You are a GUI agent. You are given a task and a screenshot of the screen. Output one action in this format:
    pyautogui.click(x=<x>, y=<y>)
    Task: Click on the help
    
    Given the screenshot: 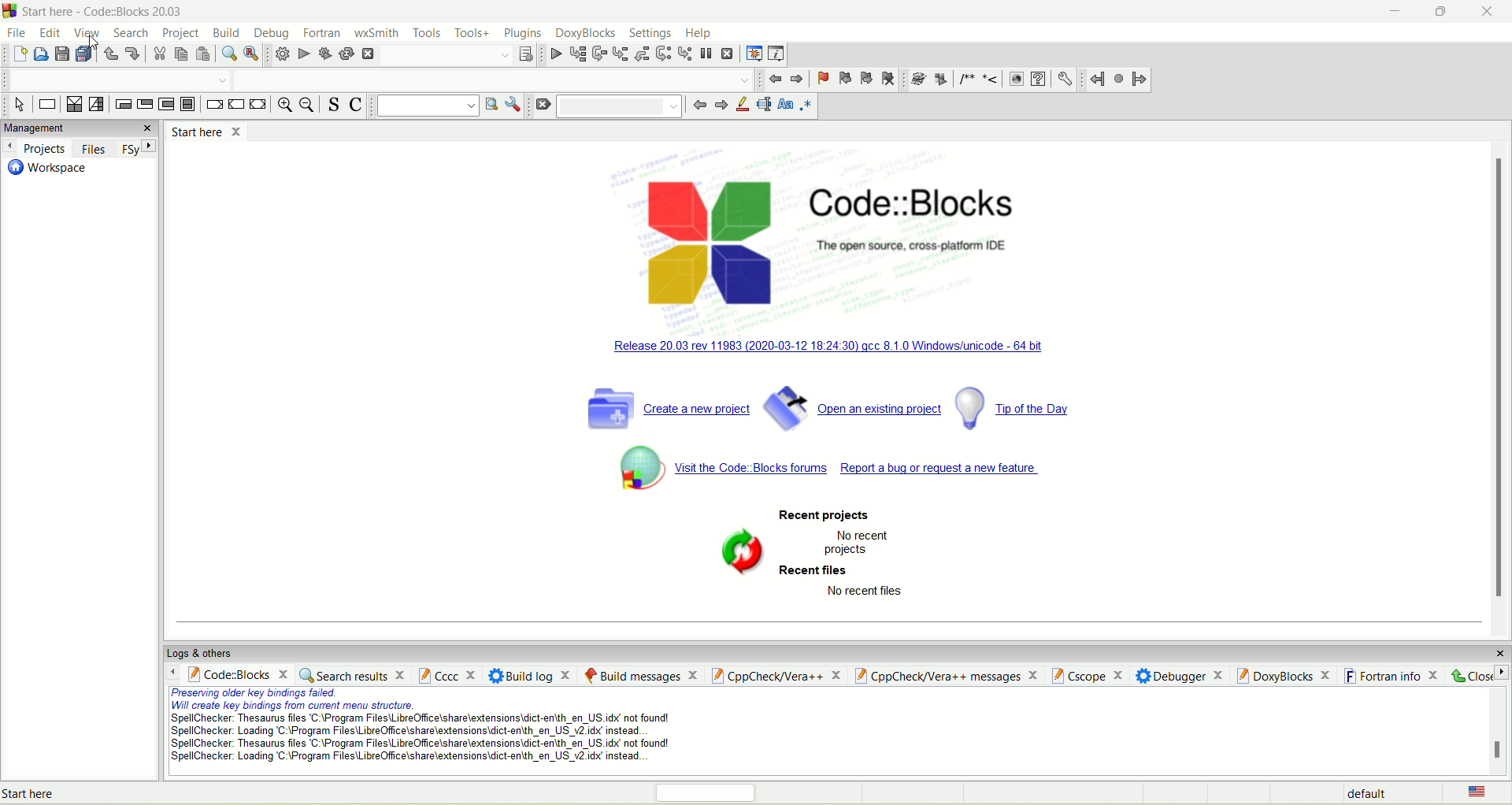 What is the action you would take?
    pyautogui.click(x=698, y=34)
    